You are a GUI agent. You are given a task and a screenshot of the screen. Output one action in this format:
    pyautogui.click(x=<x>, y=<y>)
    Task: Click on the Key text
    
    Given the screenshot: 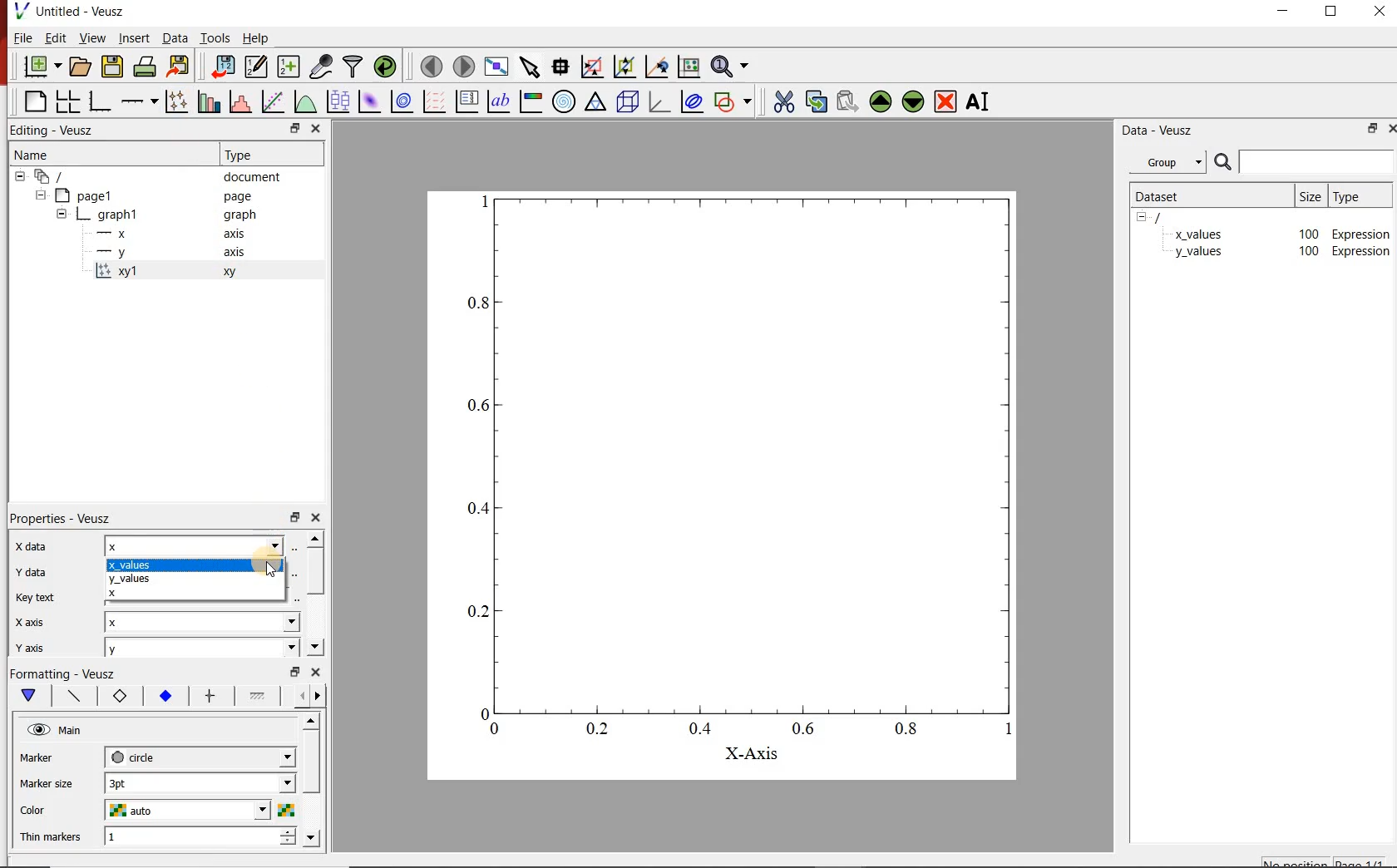 What is the action you would take?
    pyautogui.click(x=37, y=597)
    